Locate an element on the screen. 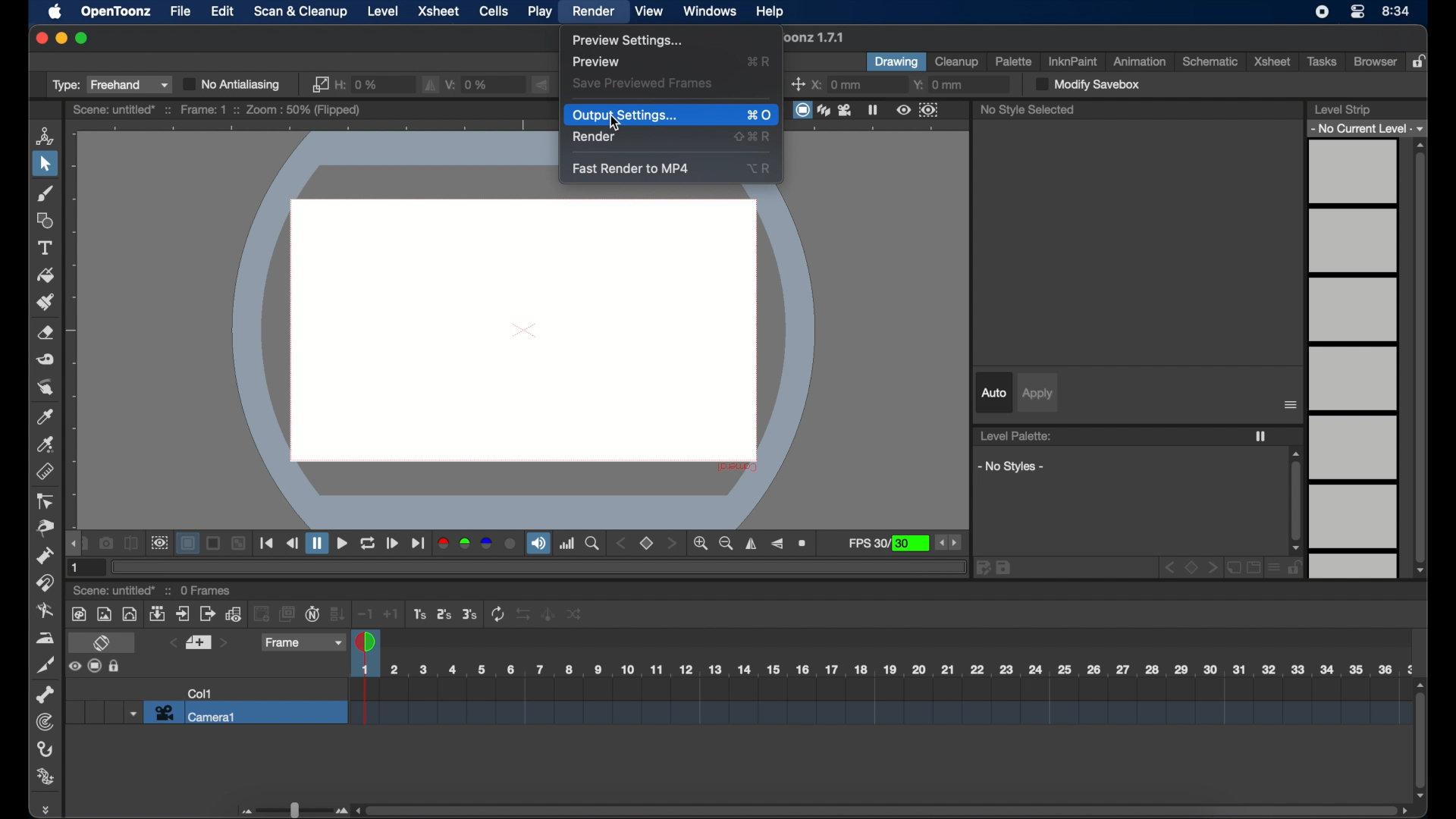  auto is located at coordinates (993, 392).